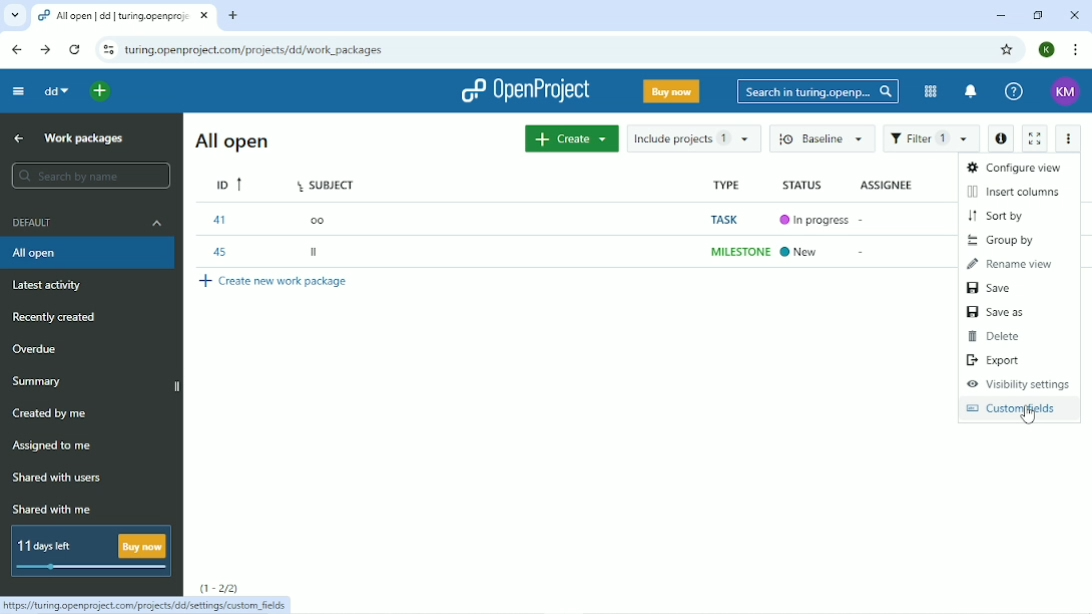 The width and height of the screenshot is (1092, 614). Describe the element at coordinates (928, 92) in the screenshot. I see `Modules` at that location.